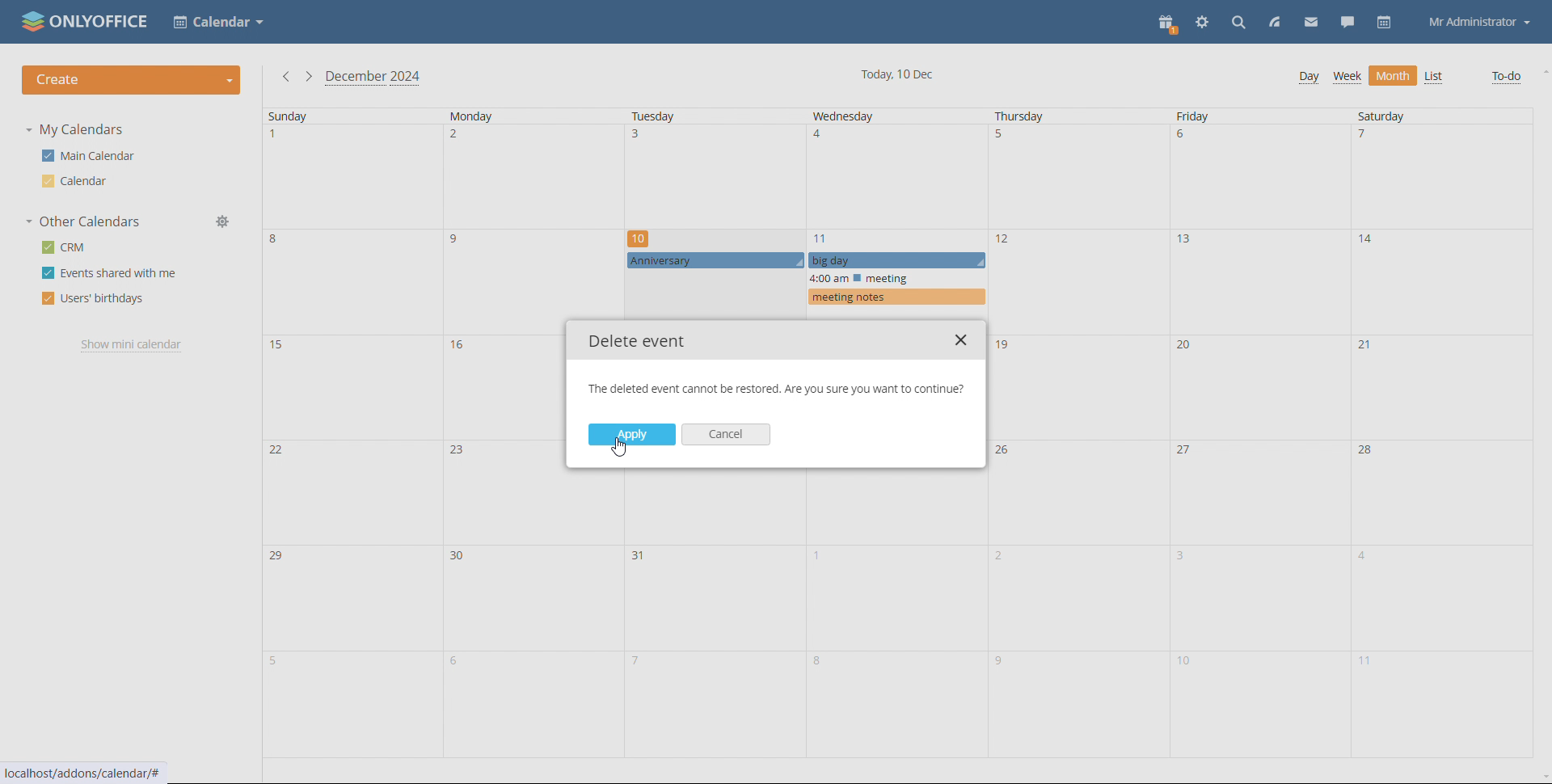  Describe the element at coordinates (285, 76) in the screenshot. I see `previous month` at that location.